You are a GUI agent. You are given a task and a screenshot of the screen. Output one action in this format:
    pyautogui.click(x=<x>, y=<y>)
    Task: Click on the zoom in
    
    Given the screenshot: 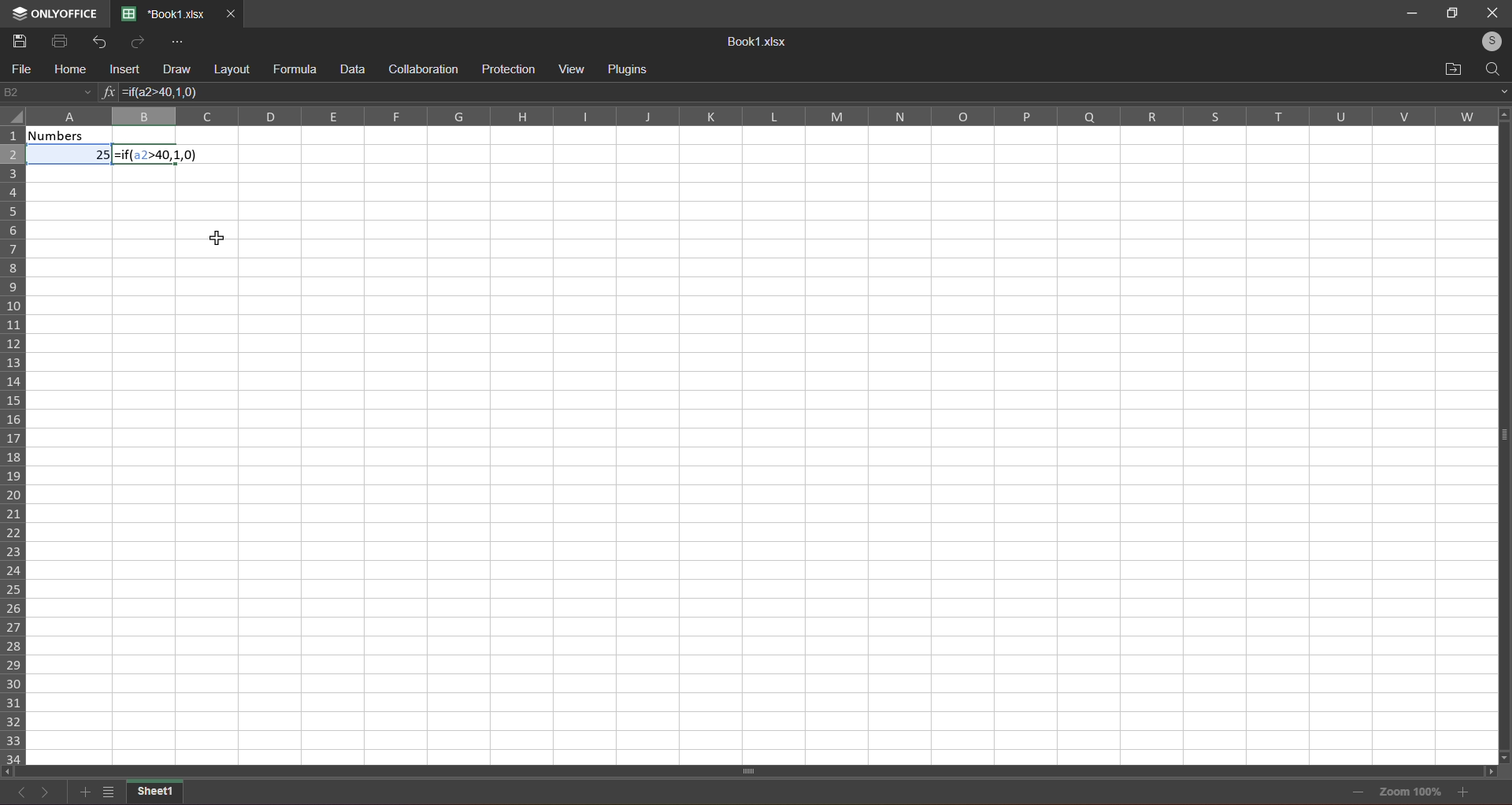 What is the action you would take?
    pyautogui.click(x=1464, y=793)
    